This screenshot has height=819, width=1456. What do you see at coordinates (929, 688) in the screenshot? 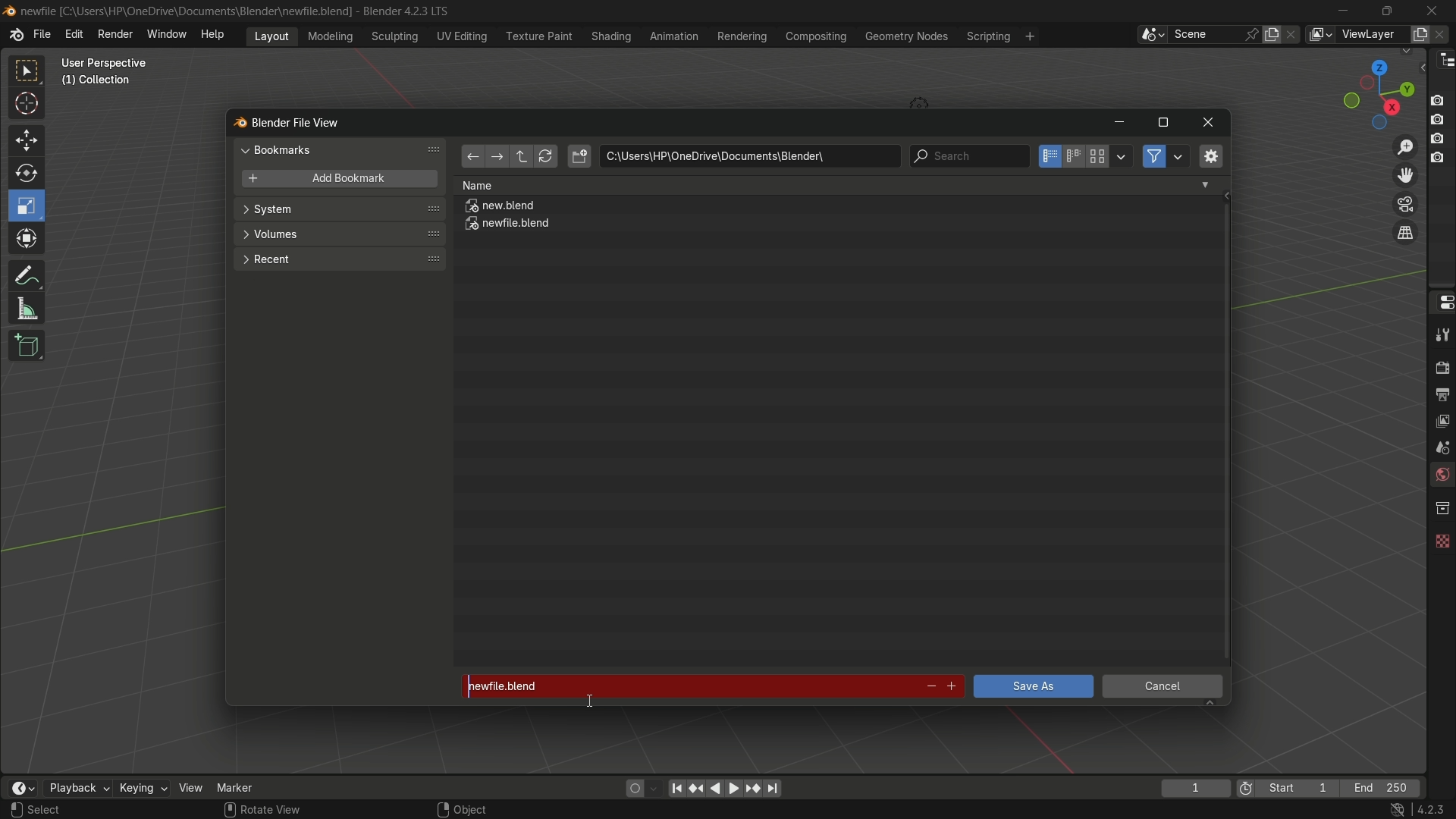
I see `decrement number in file name` at bounding box center [929, 688].